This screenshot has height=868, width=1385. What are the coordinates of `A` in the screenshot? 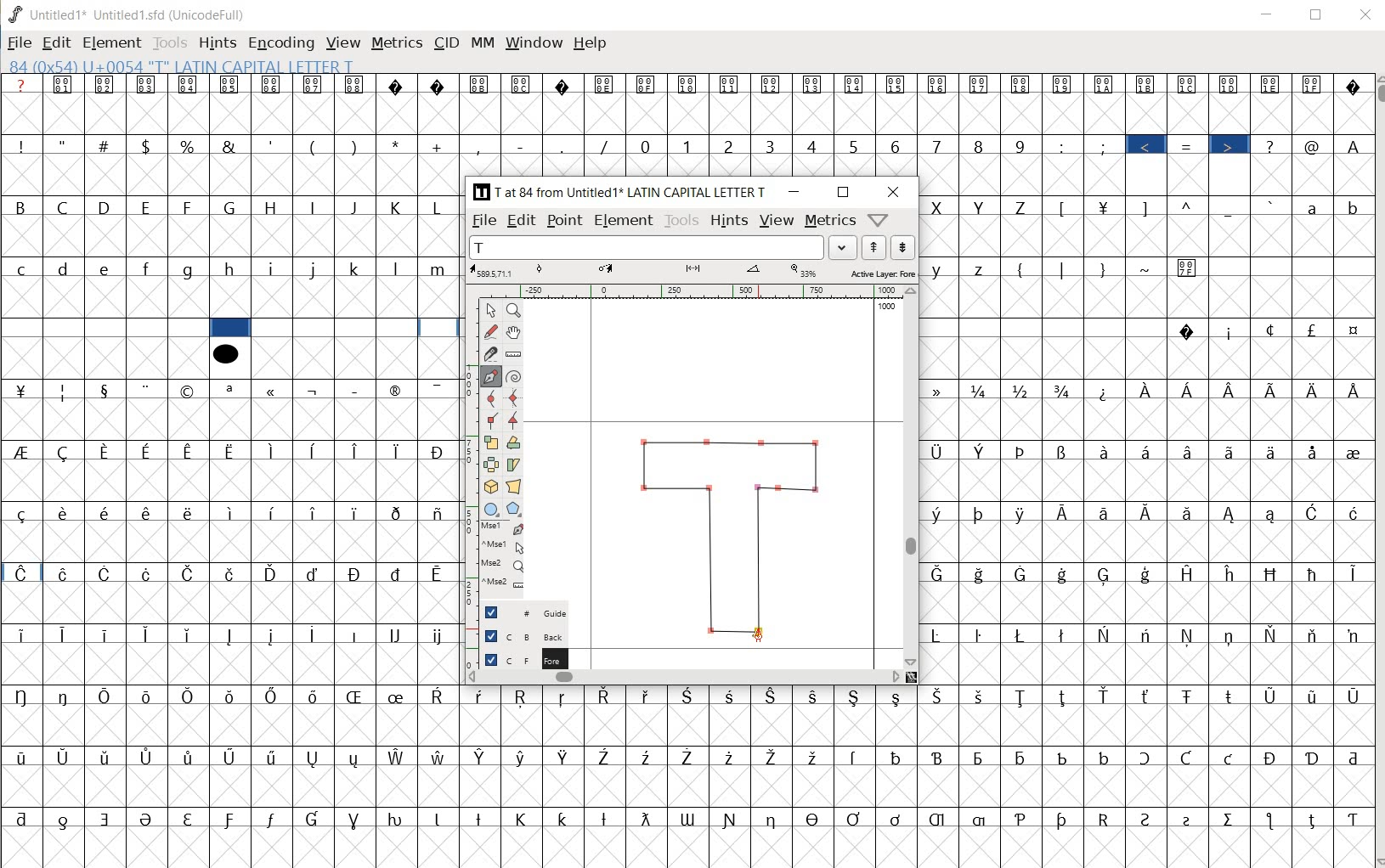 It's located at (1352, 144).